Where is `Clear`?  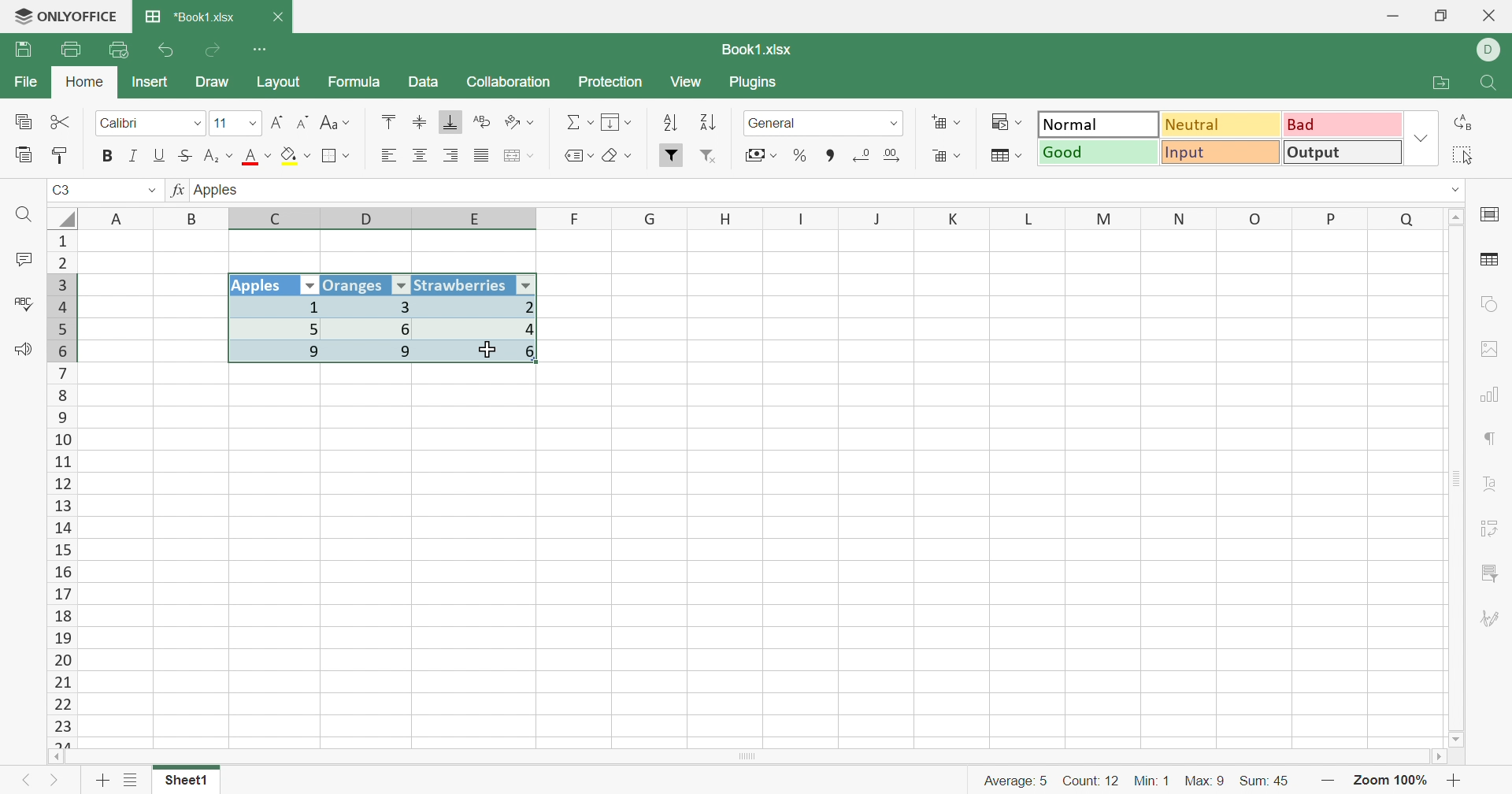
Clear is located at coordinates (621, 158).